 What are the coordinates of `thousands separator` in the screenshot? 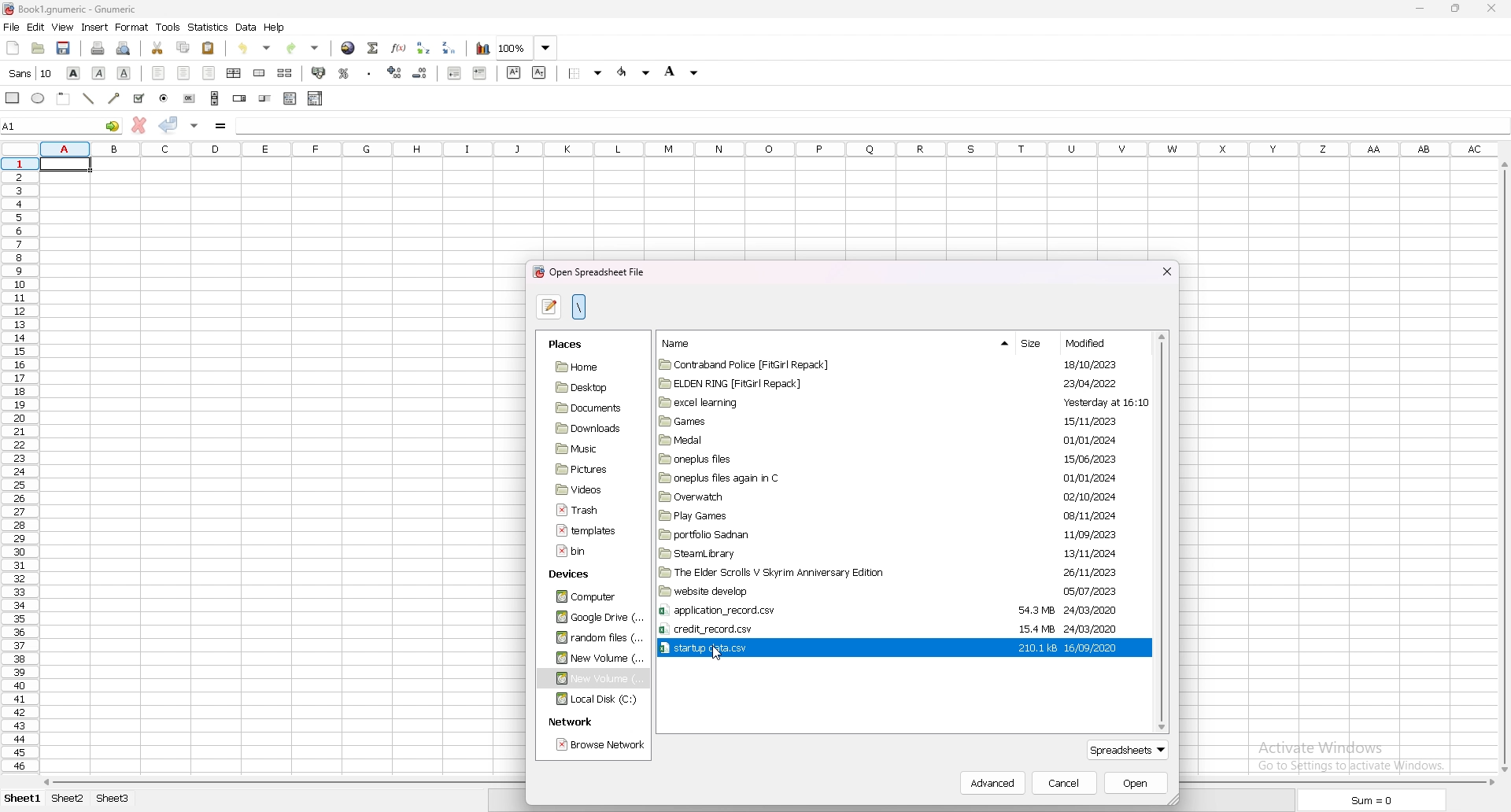 It's located at (369, 72).